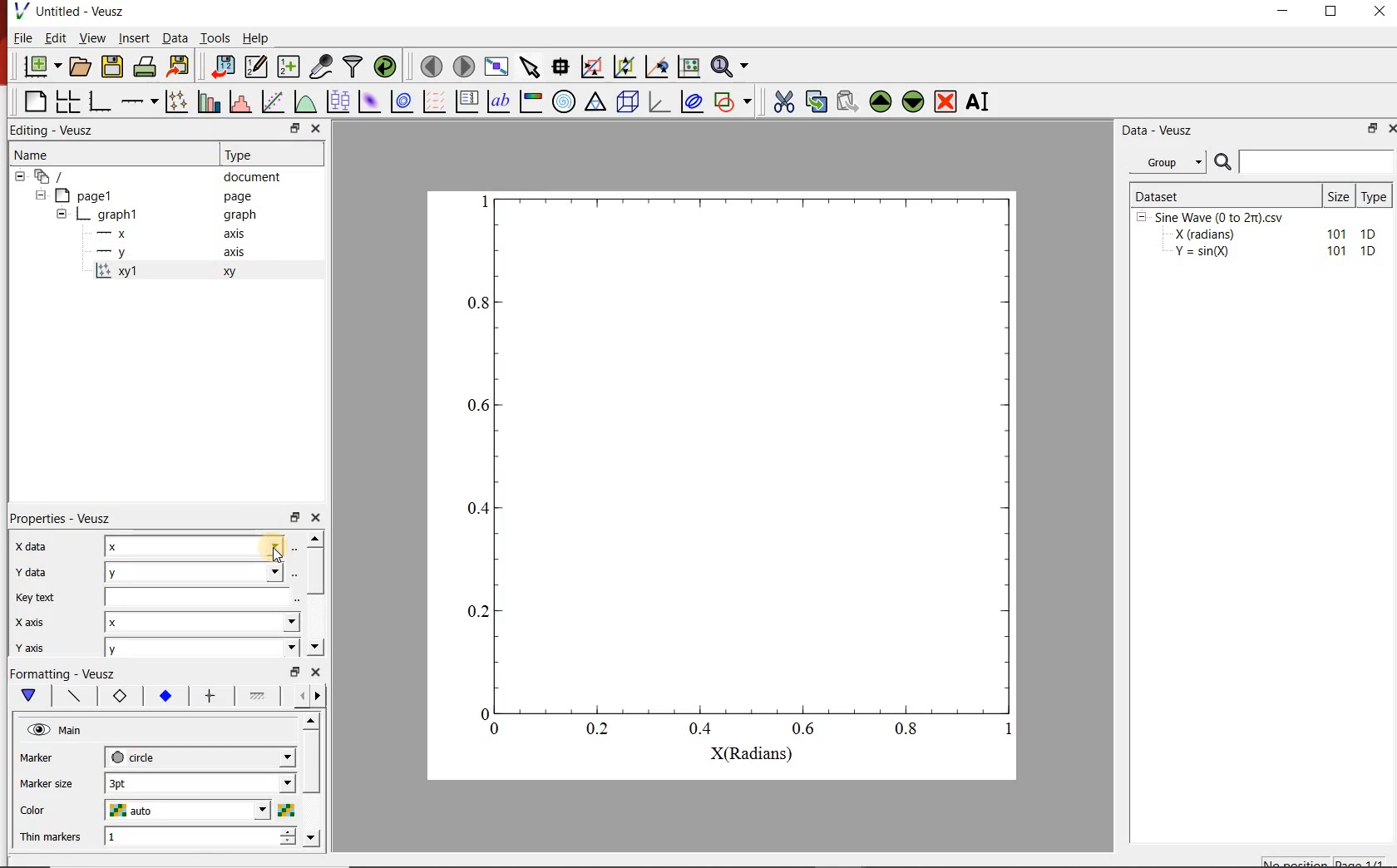 The width and height of the screenshot is (1397, 868). Describe the element at coordinates (1160, 131) in the screenshot. I see `Data - Veusz` at that location.